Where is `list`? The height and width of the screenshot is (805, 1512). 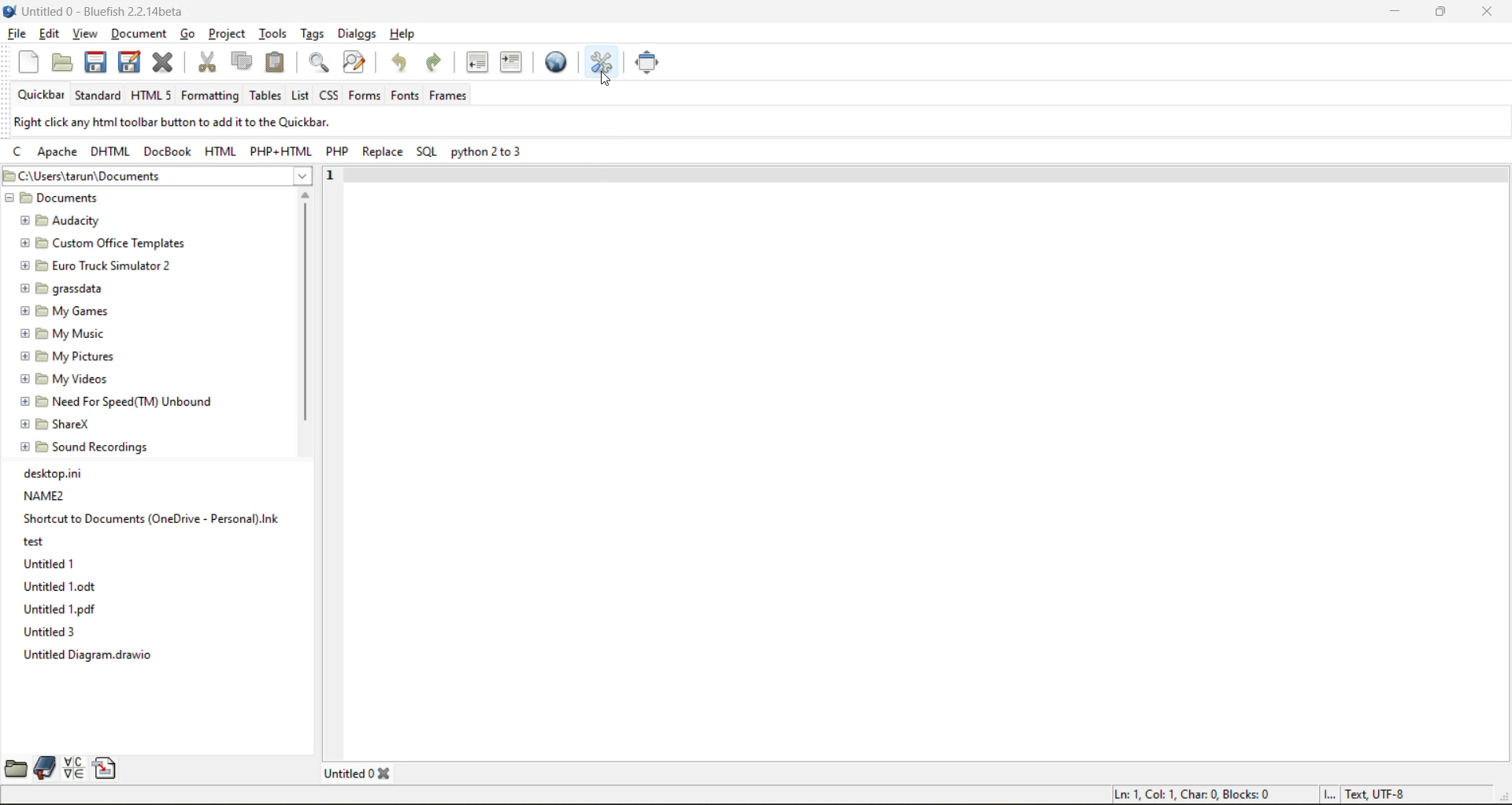
list is located at coordinates (301, 96).